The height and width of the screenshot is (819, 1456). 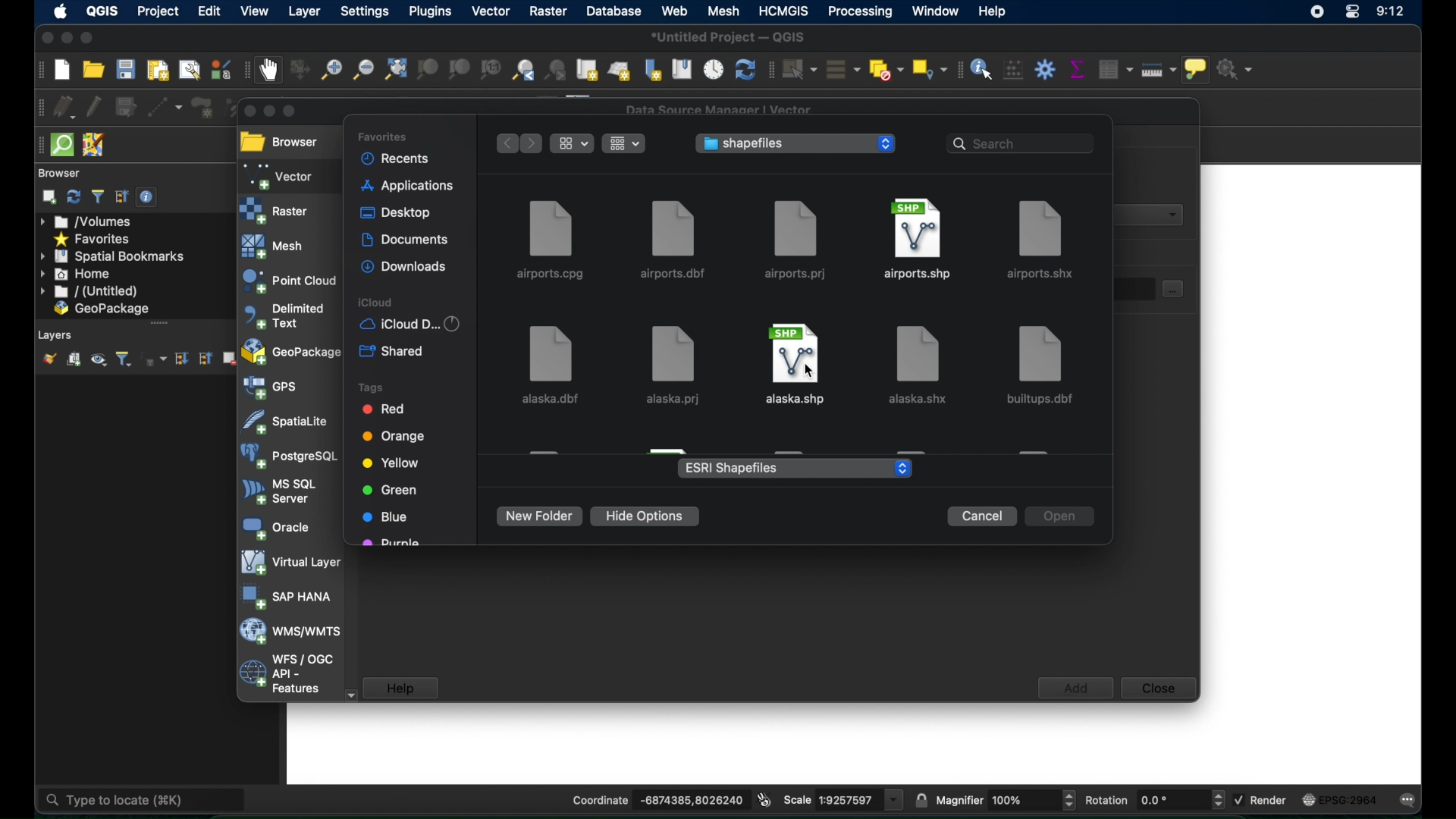 What do you see at coordinates (289, 632) in the screenshot?
I see `wms/wmts` at bounding box center [289, 632].